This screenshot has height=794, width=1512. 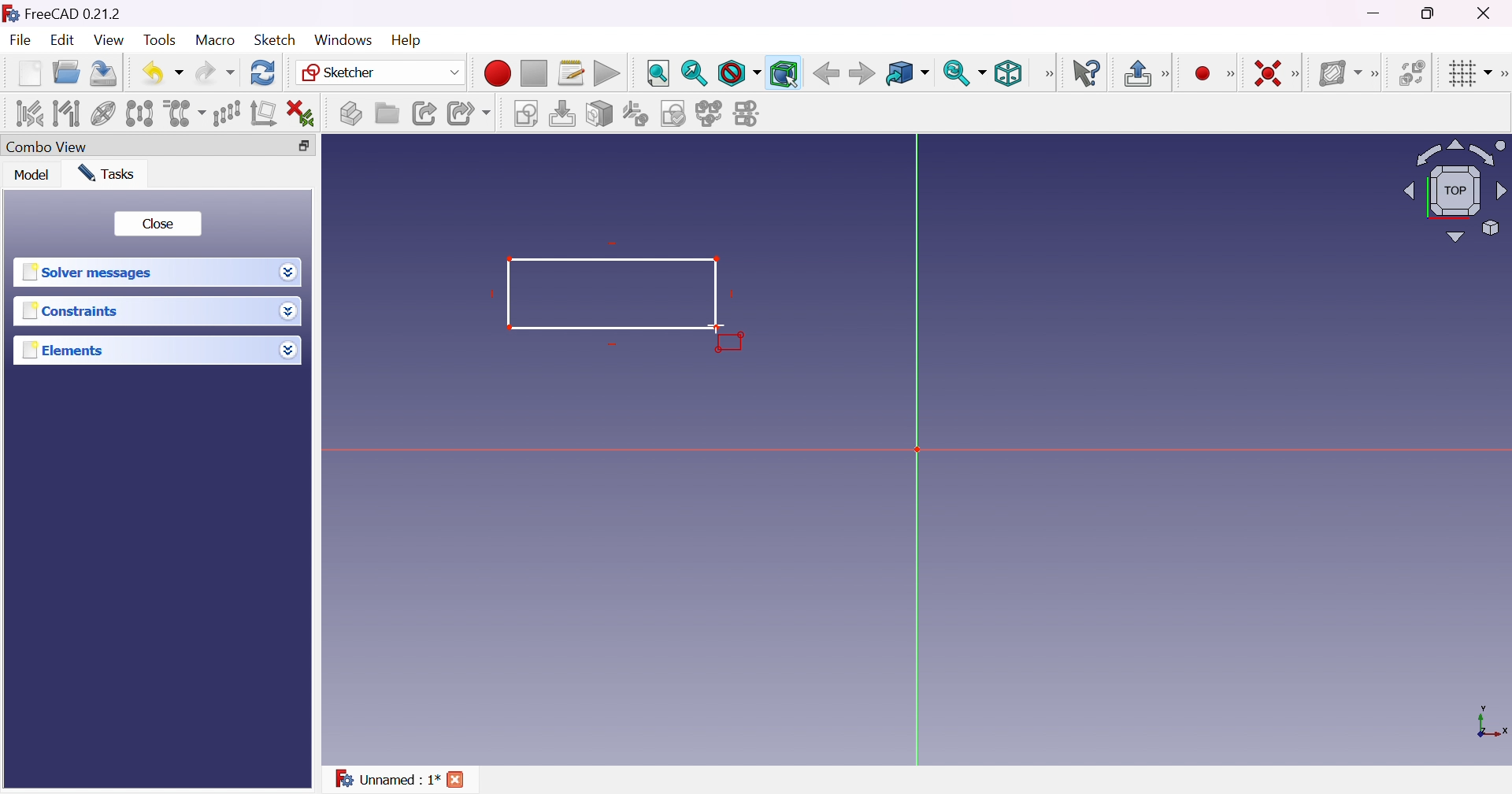 What do you see at coordinates (498, 72) in the screenshot?
I see `Macro recording...` at bounding box center [498, 72].